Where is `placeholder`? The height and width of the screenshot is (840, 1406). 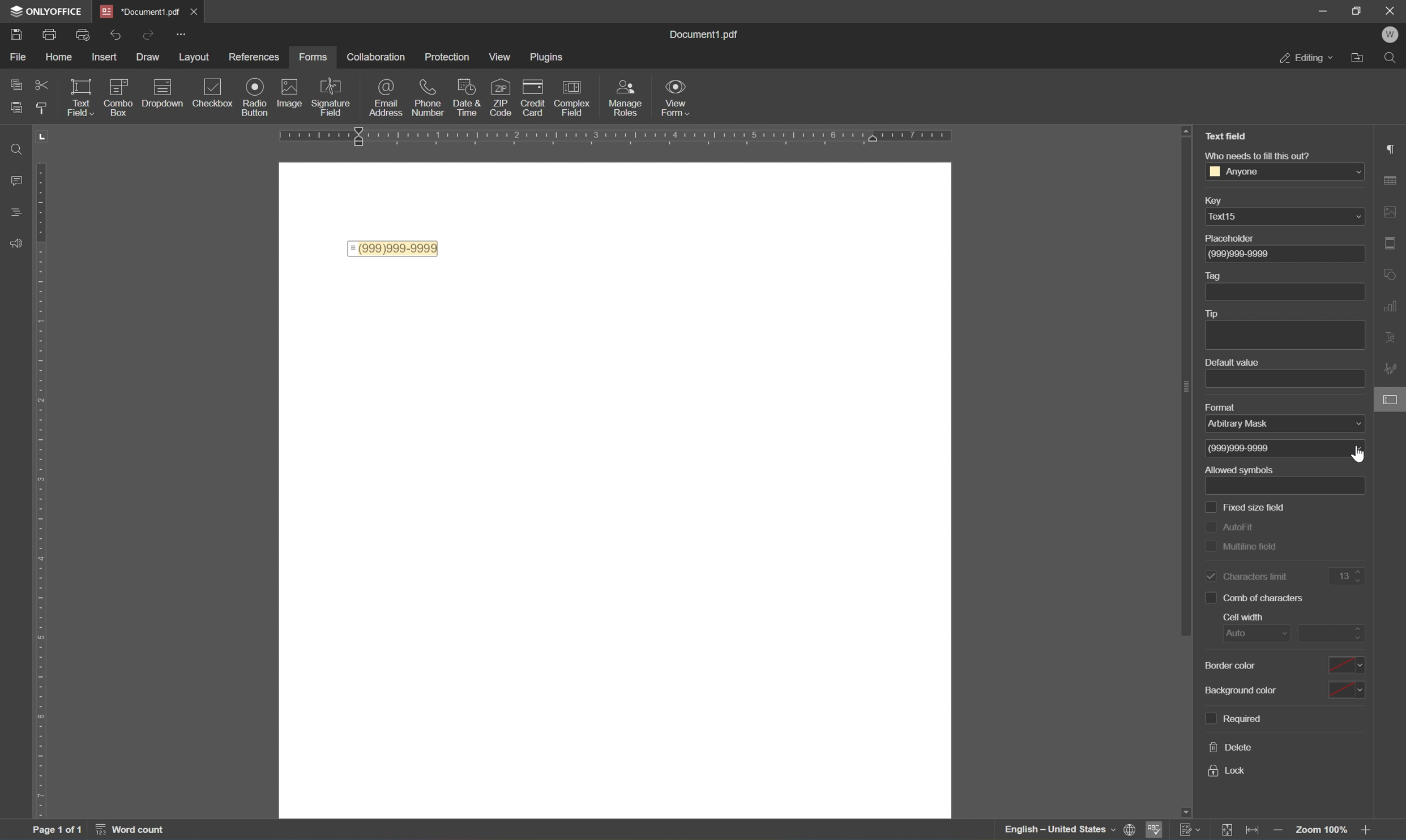
placeholder is located at coordinates (1235, 239).